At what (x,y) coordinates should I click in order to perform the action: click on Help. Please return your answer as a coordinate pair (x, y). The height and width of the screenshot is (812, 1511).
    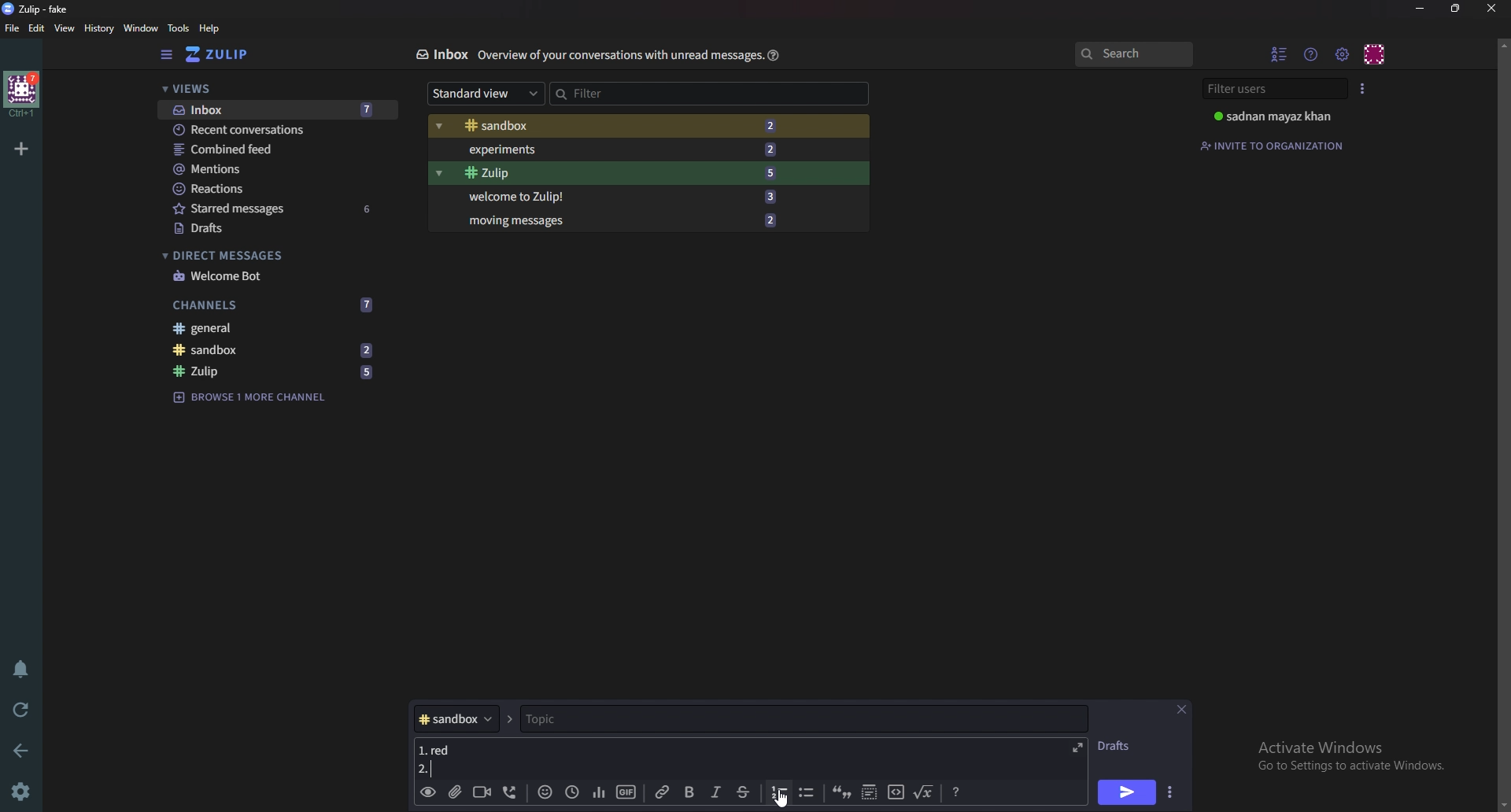
    Looking at the image, I should click on (771, 55).